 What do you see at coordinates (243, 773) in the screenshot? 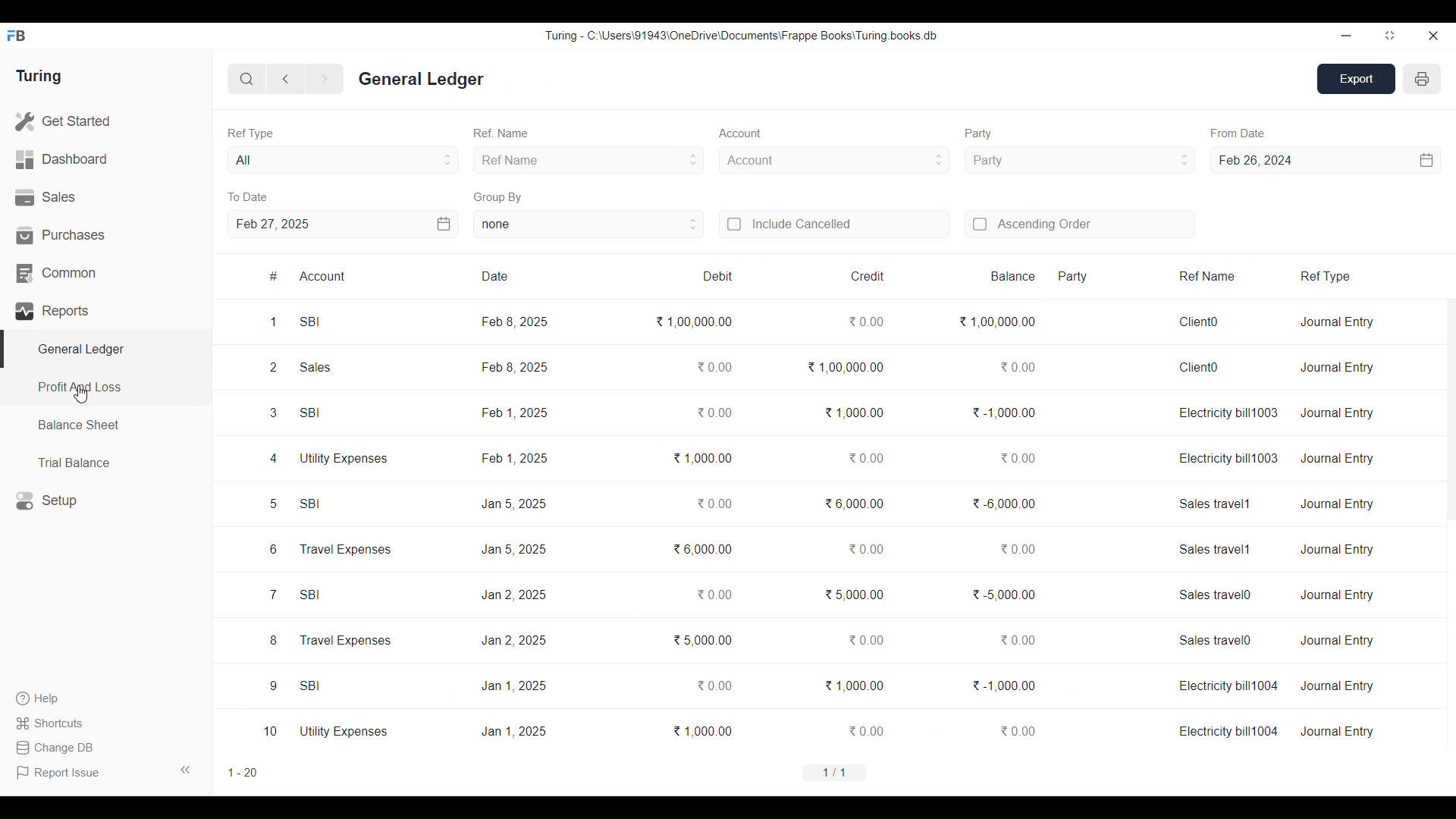
I see `1-20` at bounding box center [243, 773].